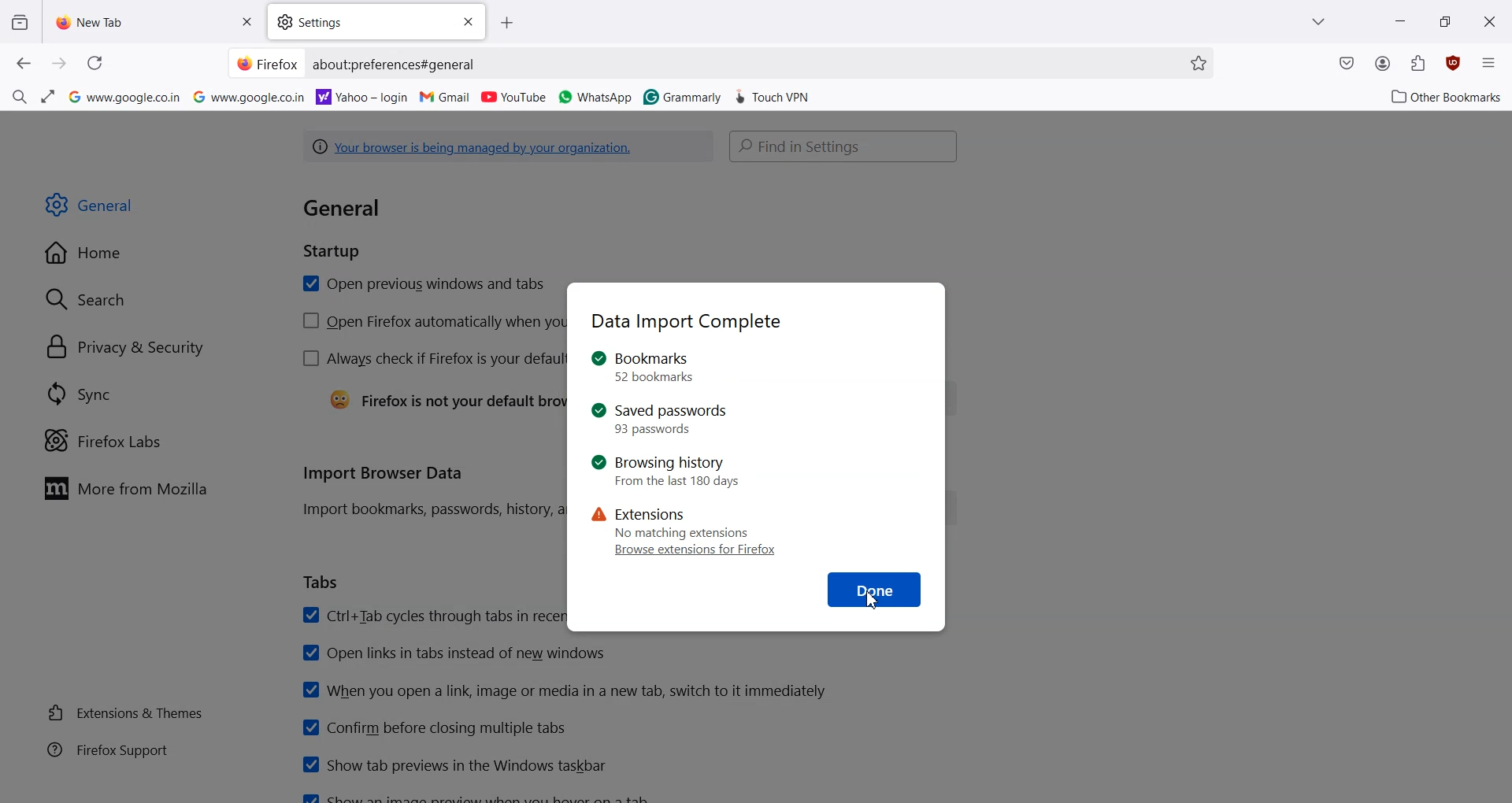  Describe the element at coordinates (50, 95) in the screenshot. I see `Fullscreen` at that location.